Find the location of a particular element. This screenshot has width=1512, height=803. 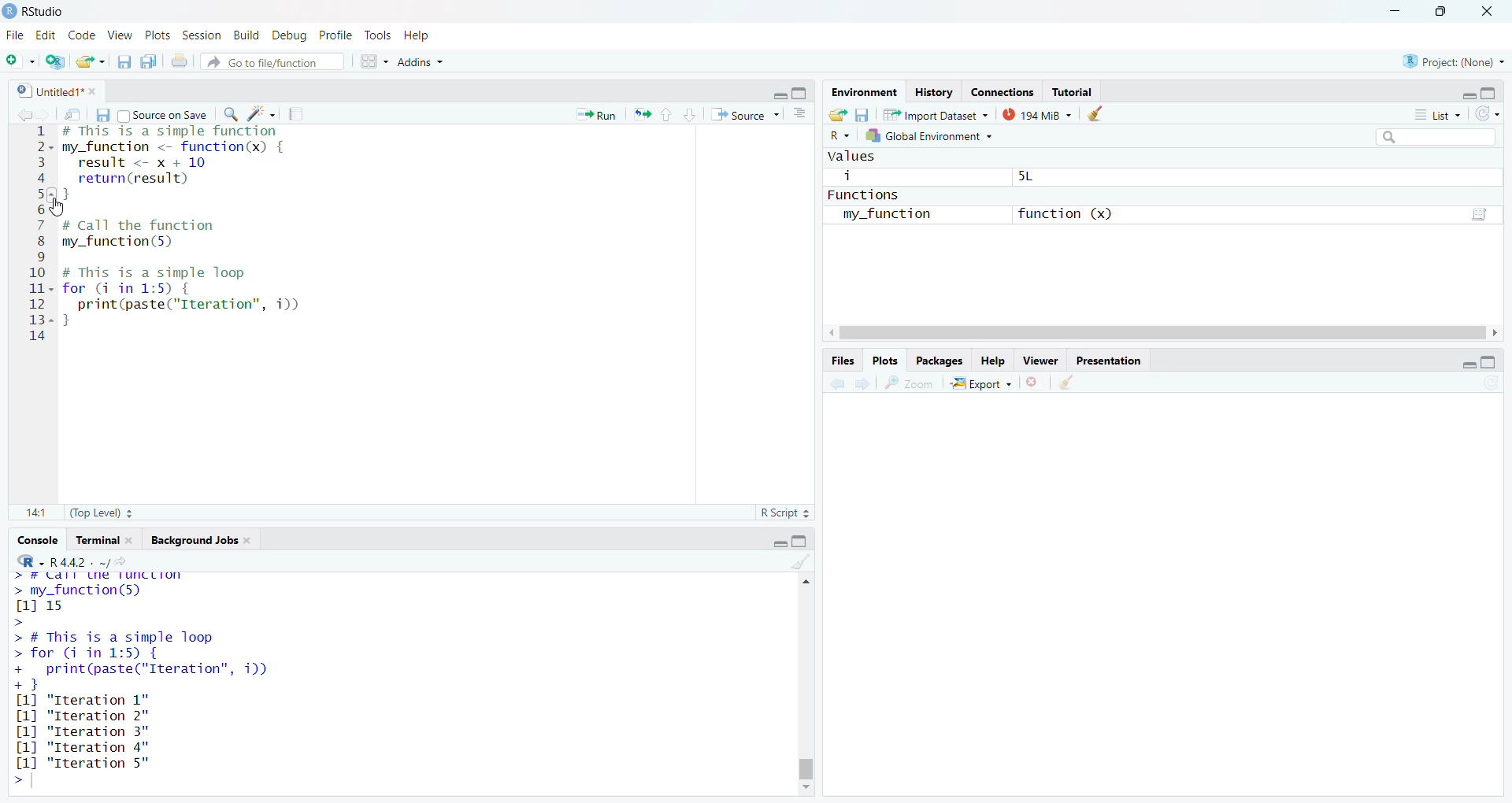

view a larger version of the plot in new window is located at coordinates (913, 383).